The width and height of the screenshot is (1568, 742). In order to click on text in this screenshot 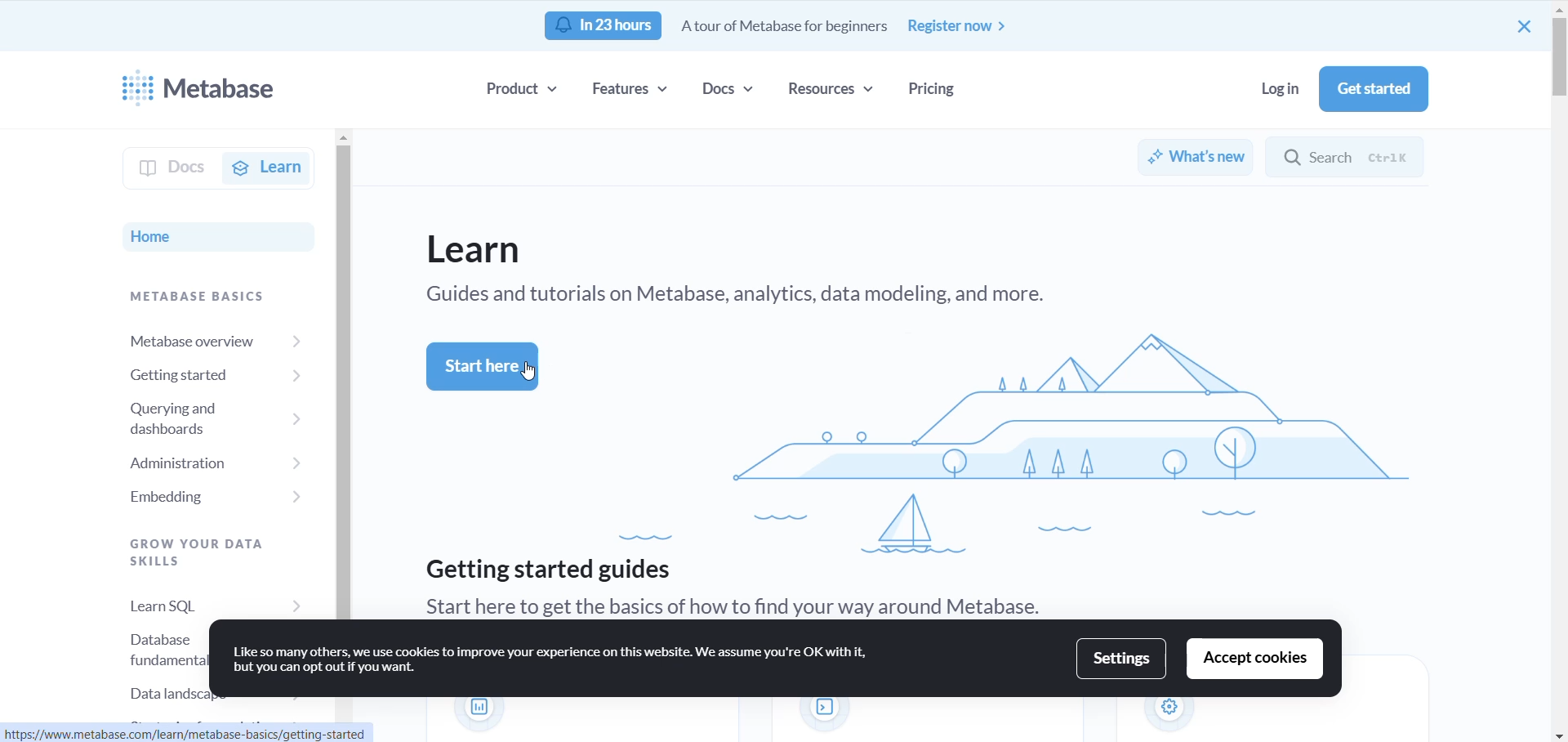, I will do `click(748, 605)`.